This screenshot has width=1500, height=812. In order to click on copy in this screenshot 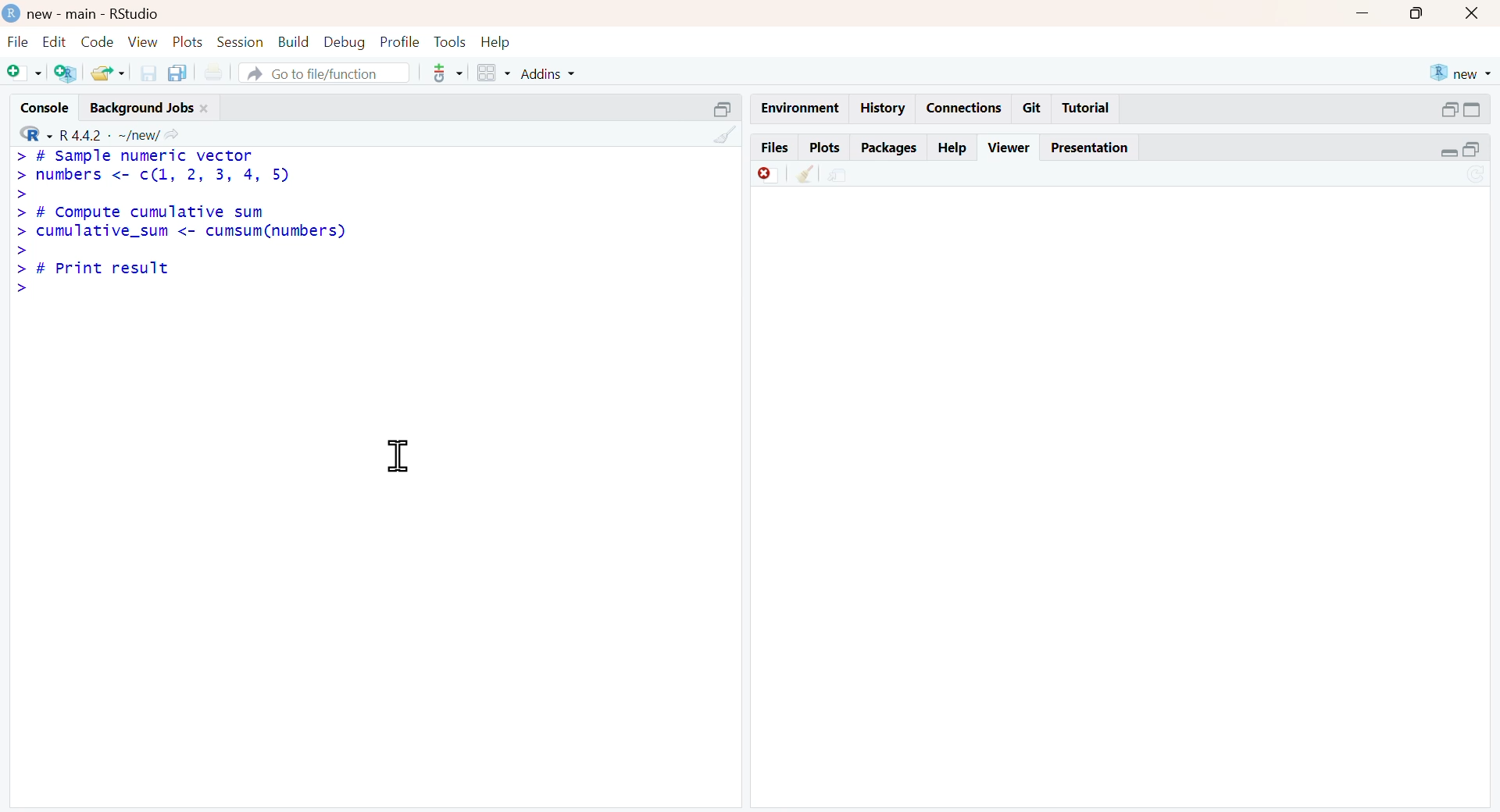, I will do `click(177, 73)`.